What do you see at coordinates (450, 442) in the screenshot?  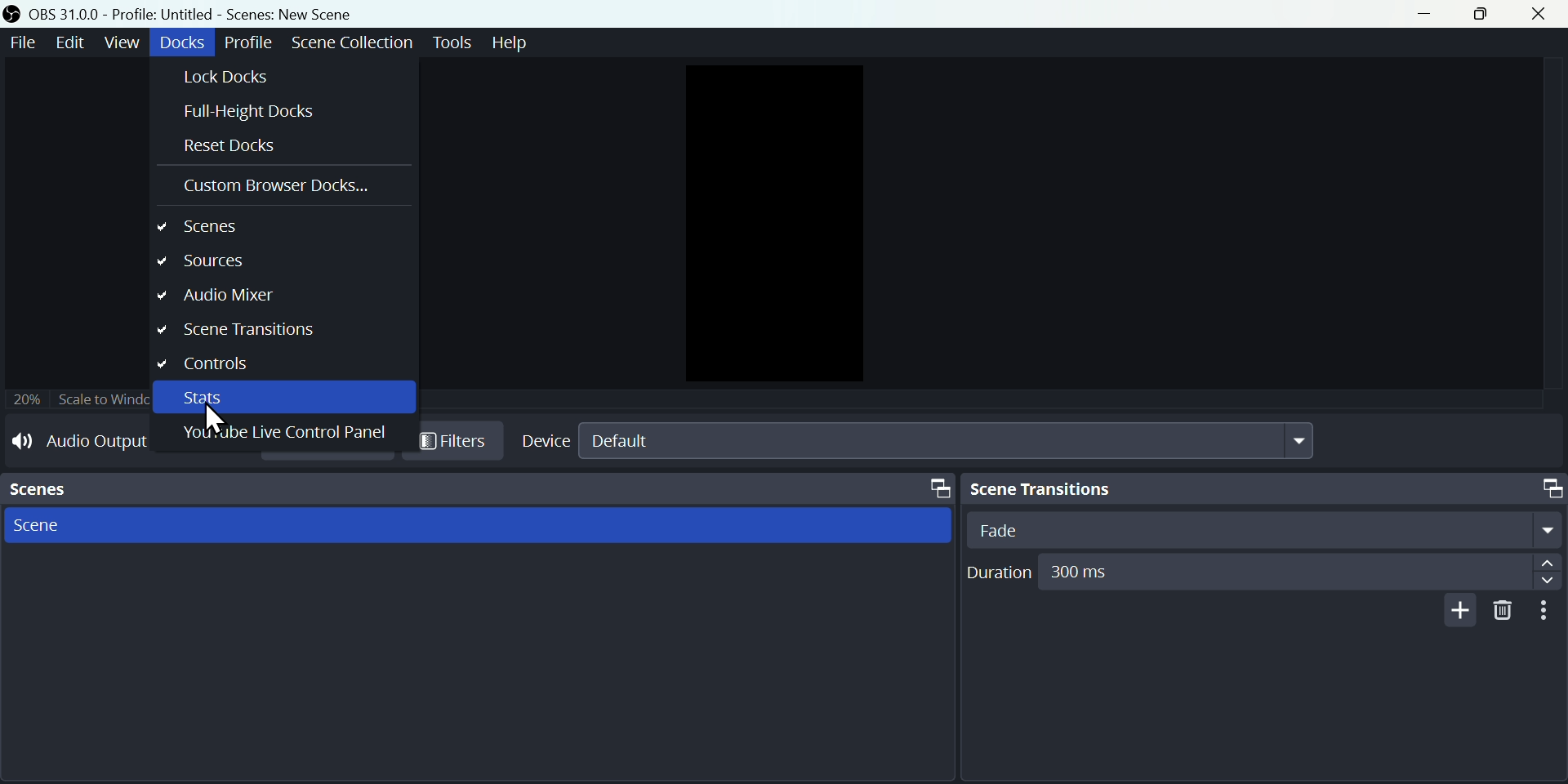 I see `Filters` at bounding box center [450, 442].